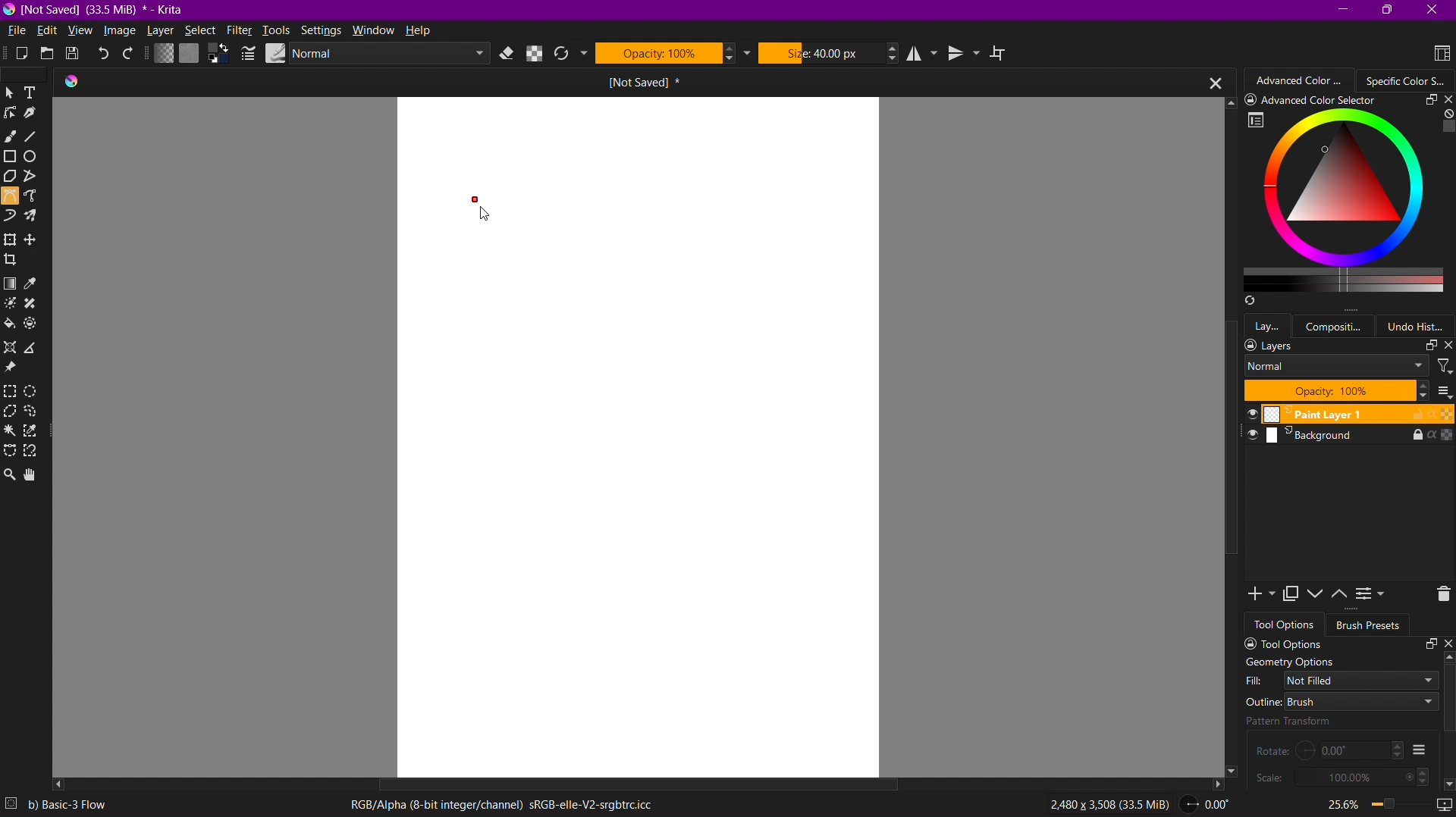 The height and width of the screenshot is (817, 1456). What do you see at coordinates (488, 221) in the screenshot?
I see `Cursor` at bounding box center [488, 221].